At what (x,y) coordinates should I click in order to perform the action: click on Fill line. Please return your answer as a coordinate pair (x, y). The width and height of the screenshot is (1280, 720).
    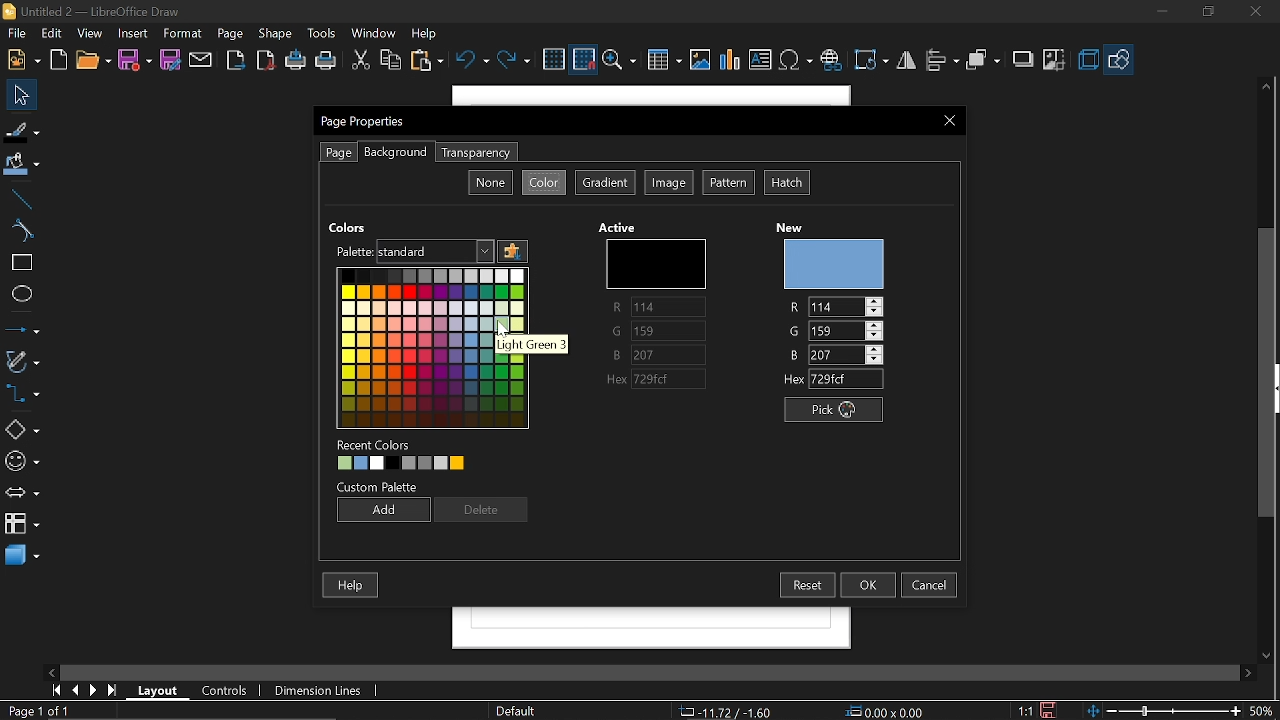
    Looking at the image, I should click on (22, 130).